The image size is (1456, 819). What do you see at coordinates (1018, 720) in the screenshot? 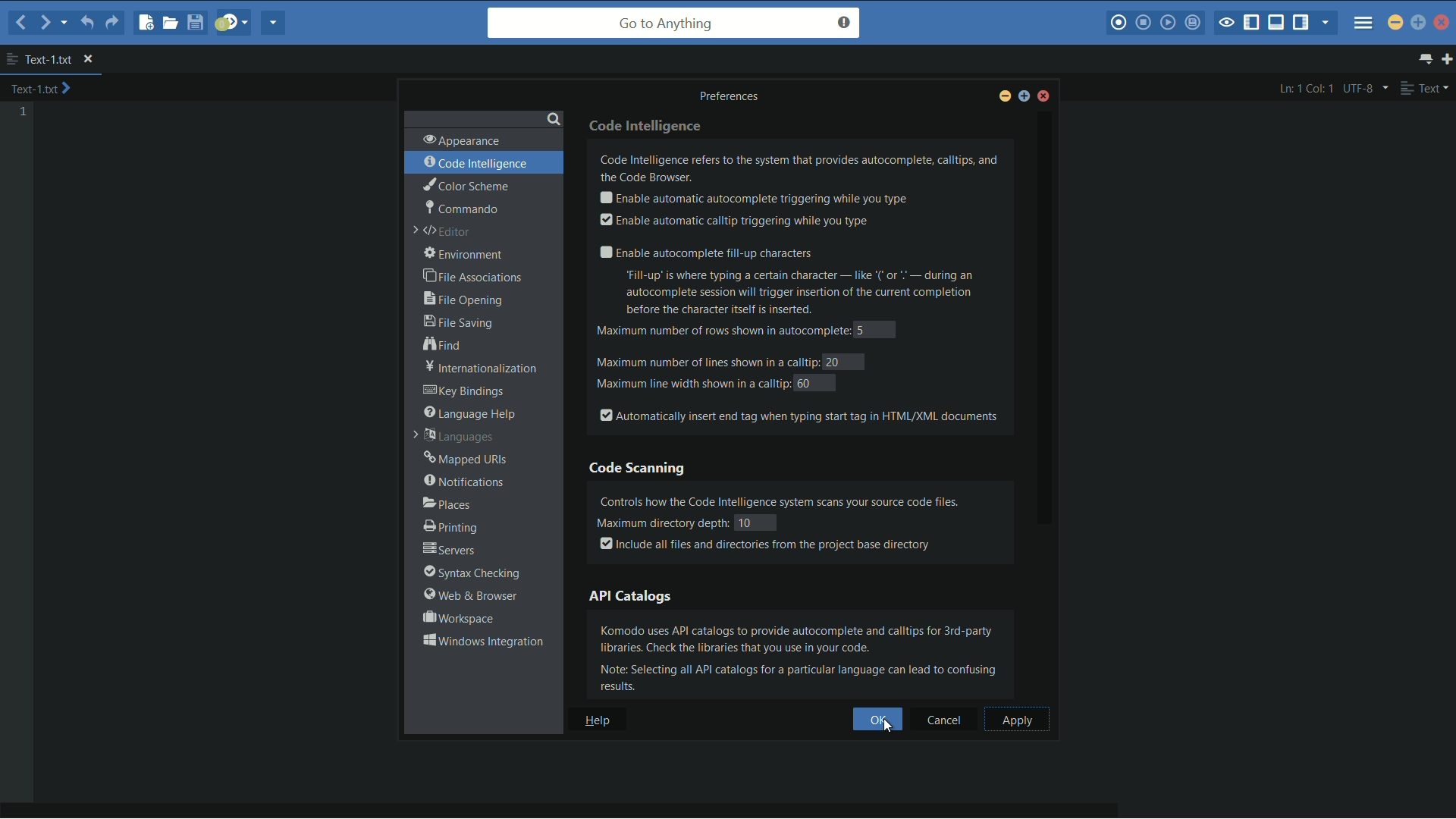
I see `apply` at bounding box center [1018, 720].